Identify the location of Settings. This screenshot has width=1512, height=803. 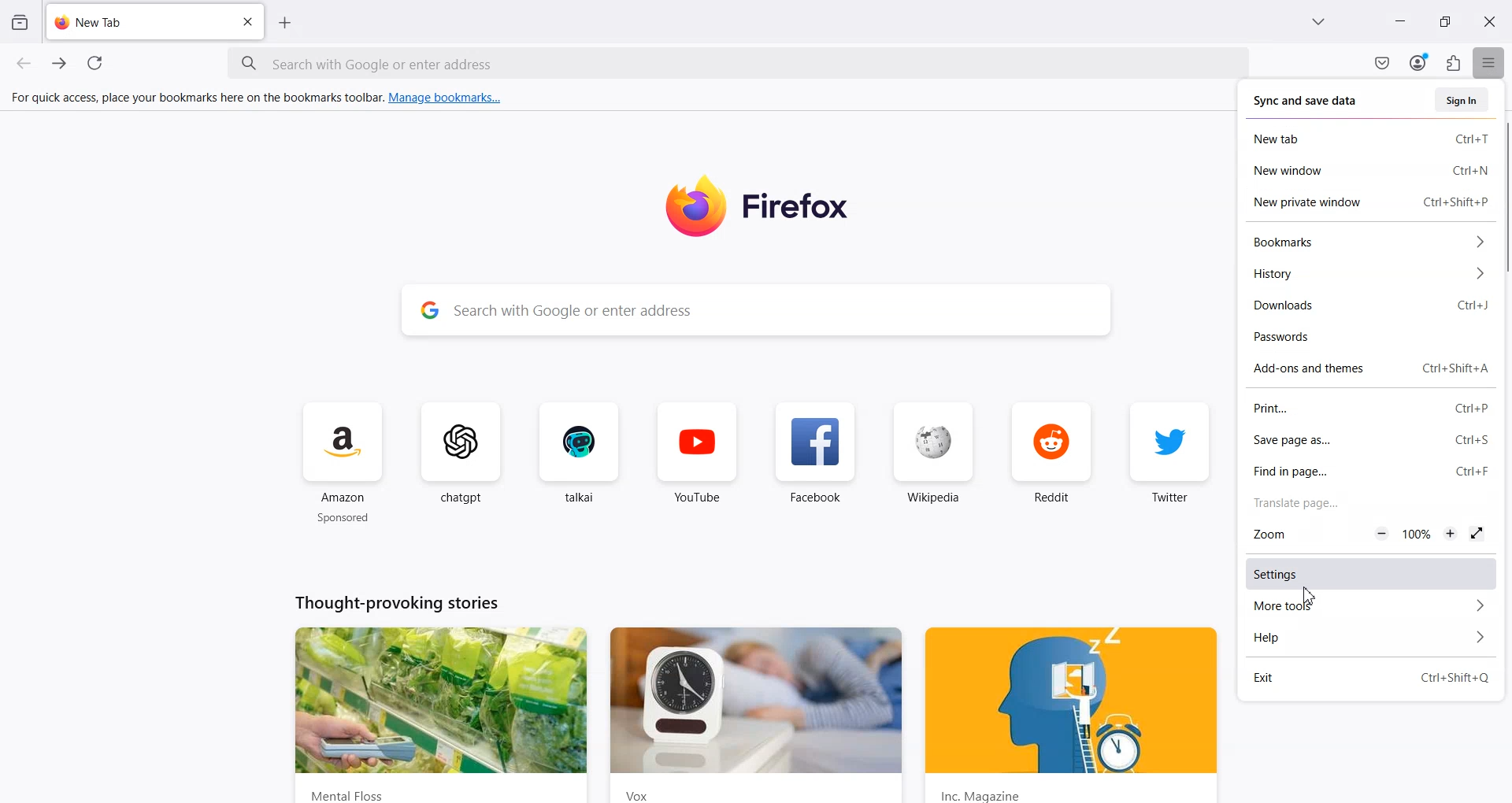
(1373, 574).